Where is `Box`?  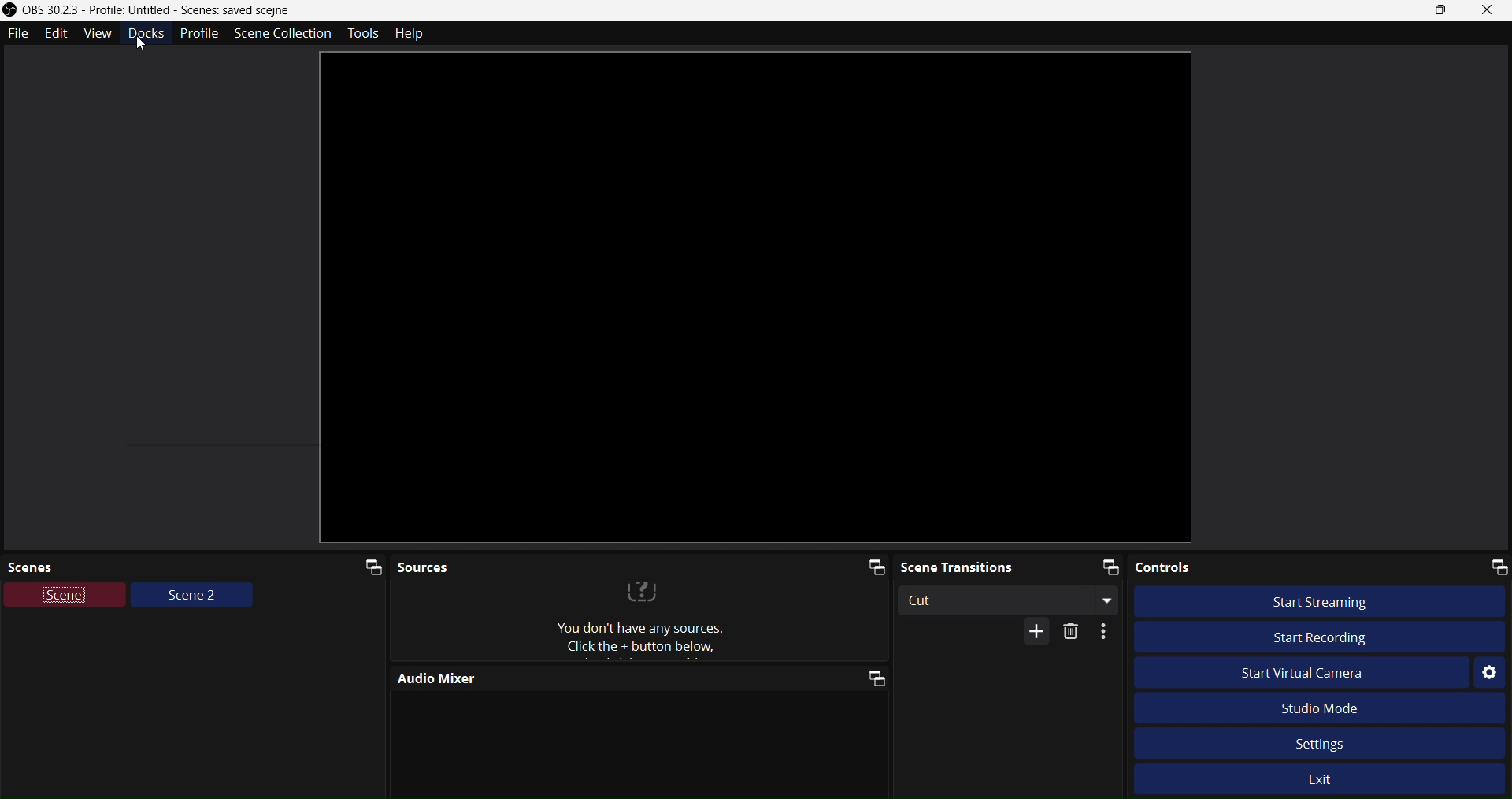 Box is located at coordinates (1442, 10).